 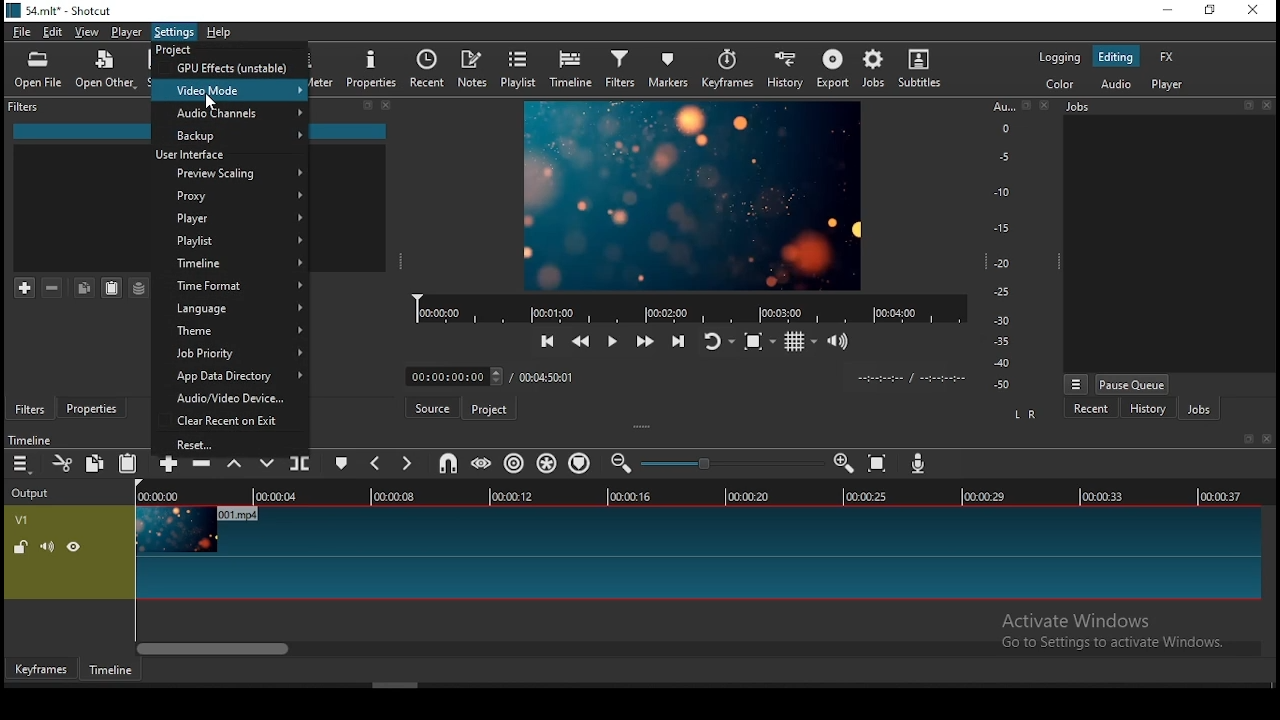 I want to click on ripple markers, so click(x=578, y=461).